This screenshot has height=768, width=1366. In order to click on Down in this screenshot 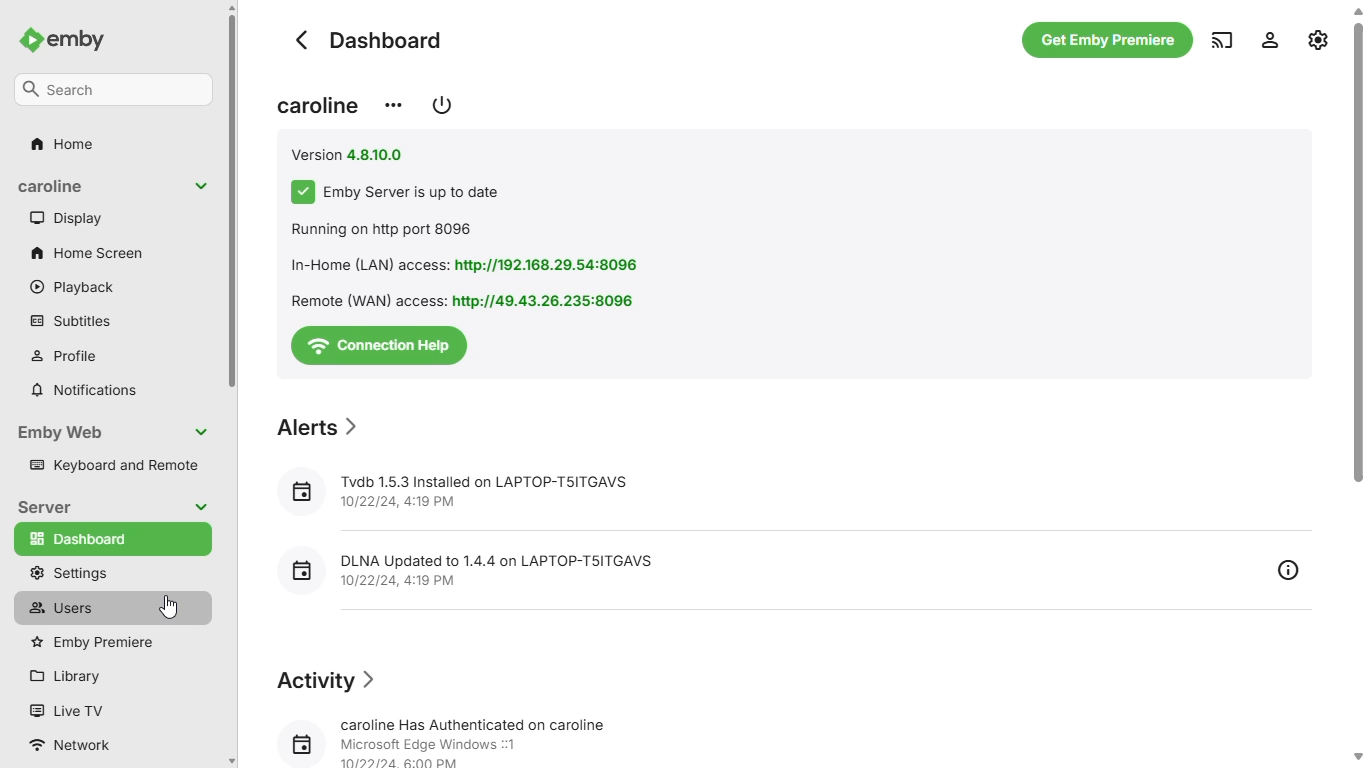, I will do `click(232, 759)`.